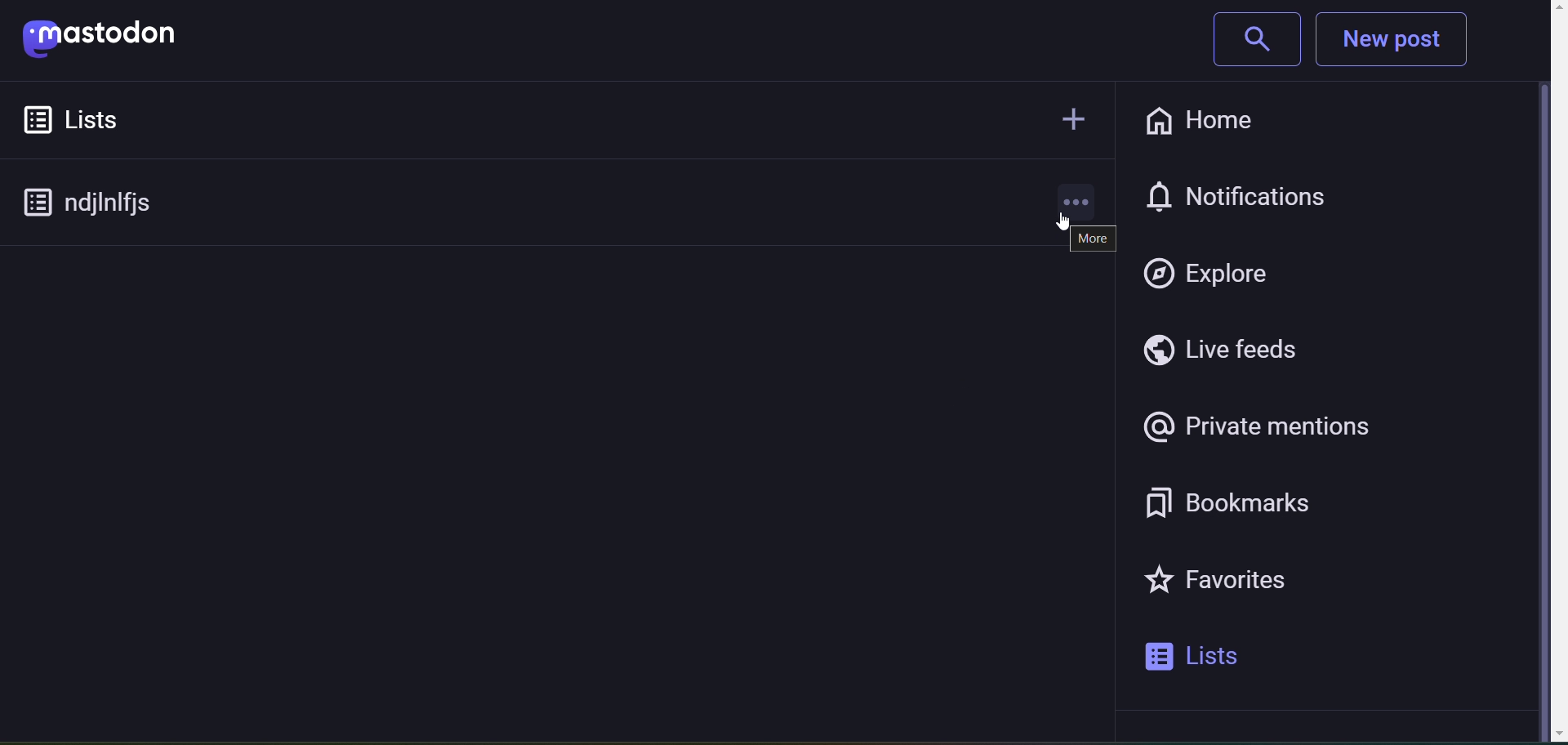 The image size is (1568, 745). What do you see at coordinates (1077, 196) in the screenshot?
I see `more` at bounding box center [1077, 196].